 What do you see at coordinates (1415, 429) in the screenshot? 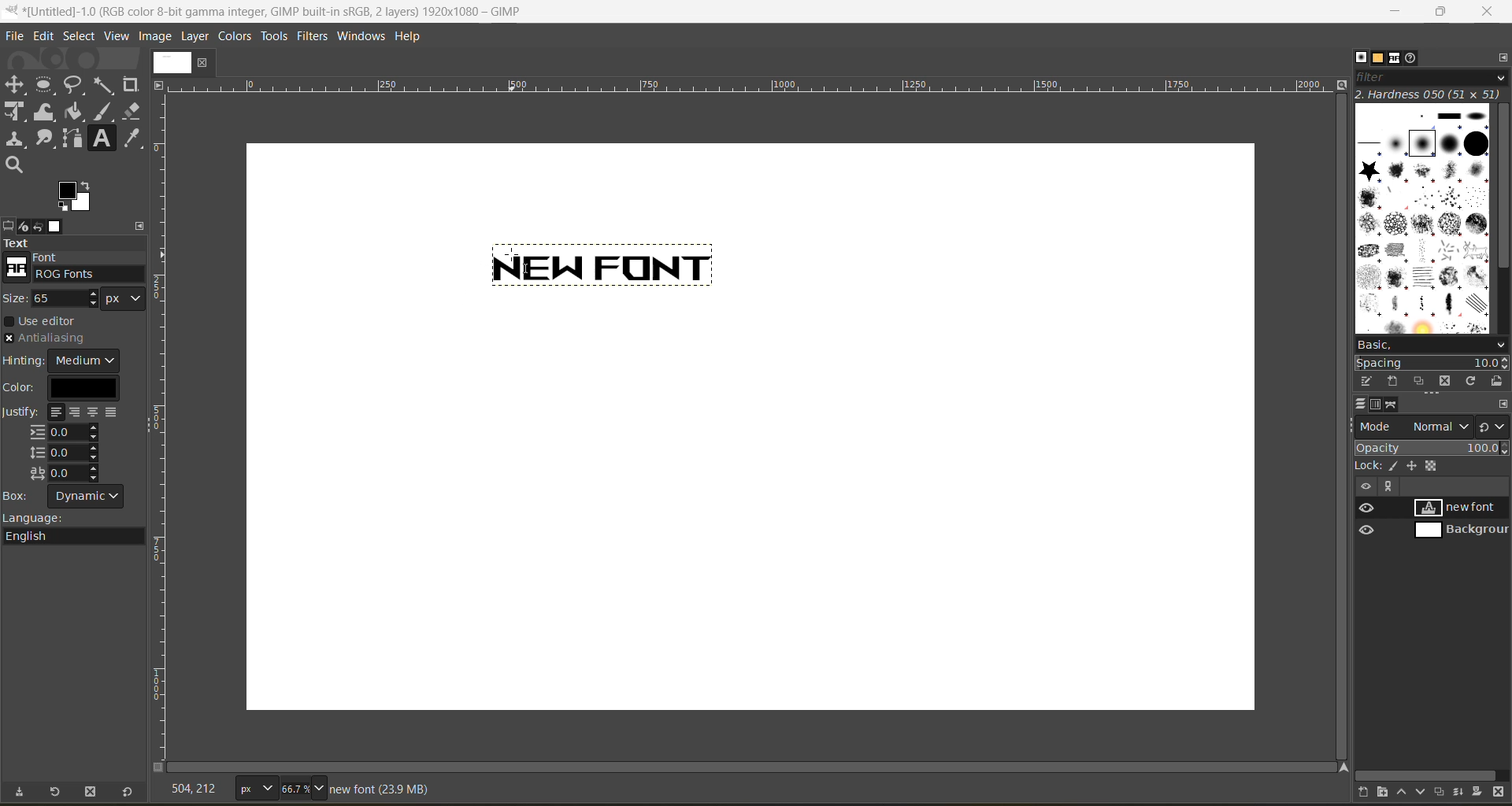
I see `mode` at bounding box center [1415, 429].